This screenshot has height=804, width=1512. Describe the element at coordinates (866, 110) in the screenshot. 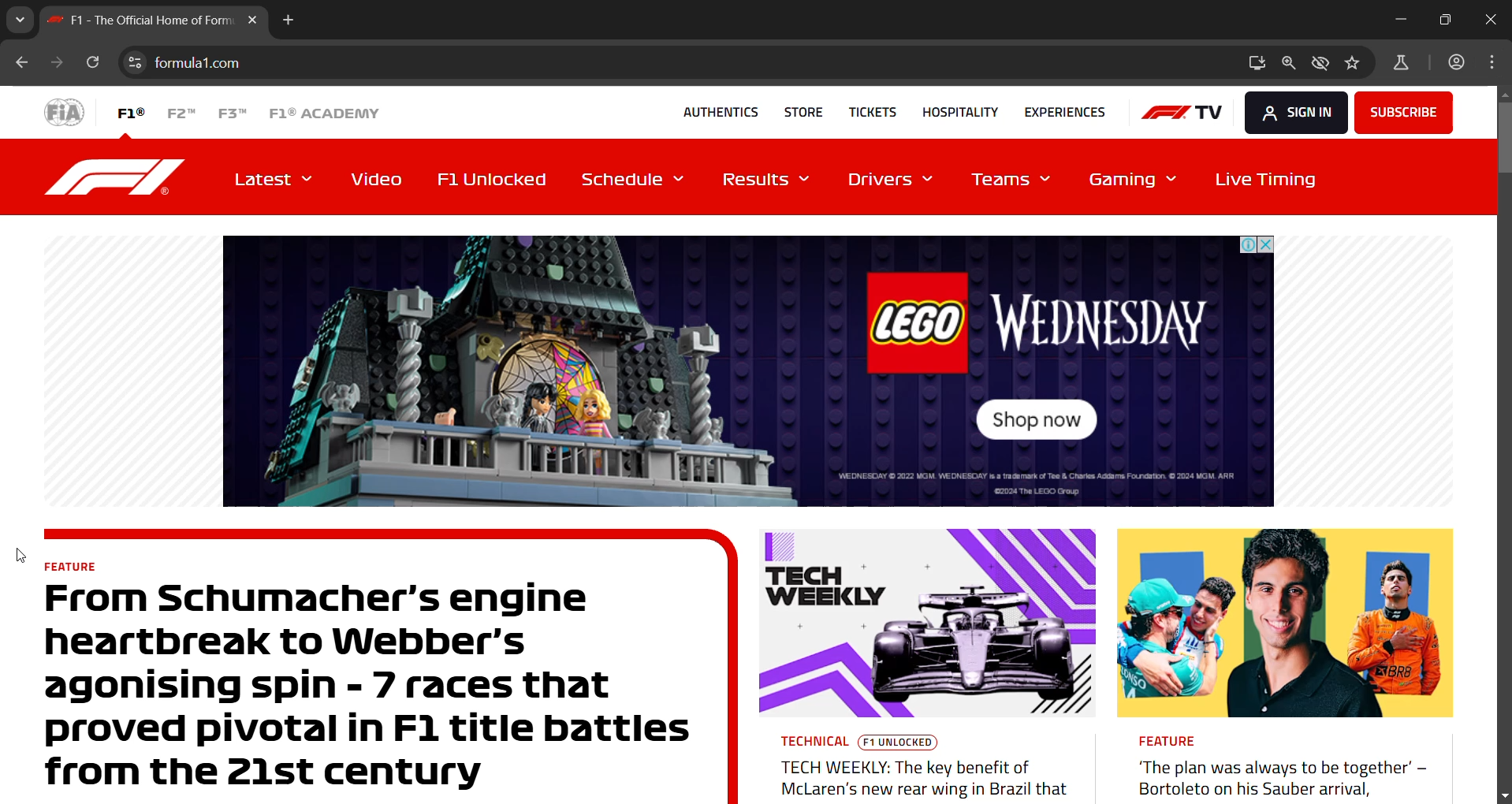

I see `TICKETS` at that location.